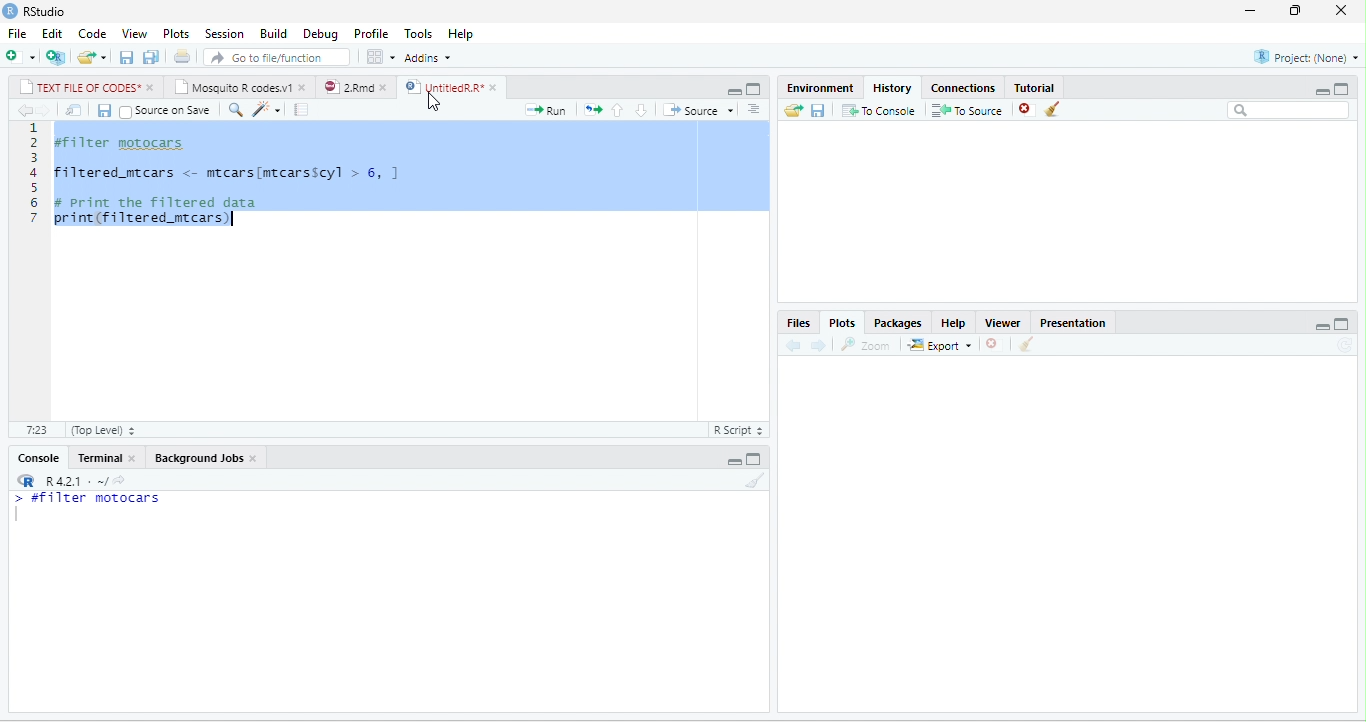  Describe the element at coordinates (699, 109) in the screenshot. I see `Source` at that location.